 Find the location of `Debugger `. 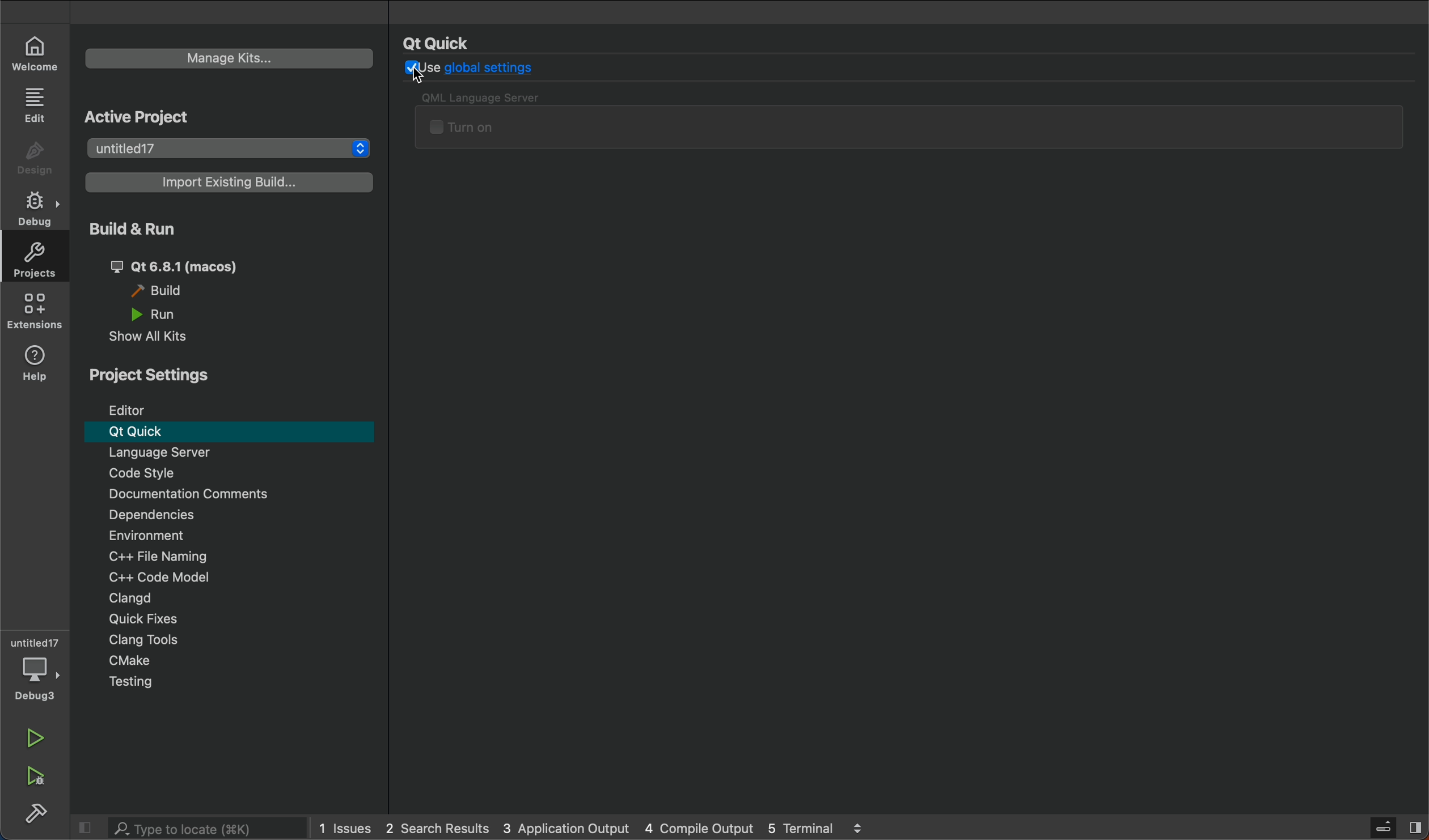

Debugger  is located at coordinates (33, 667).